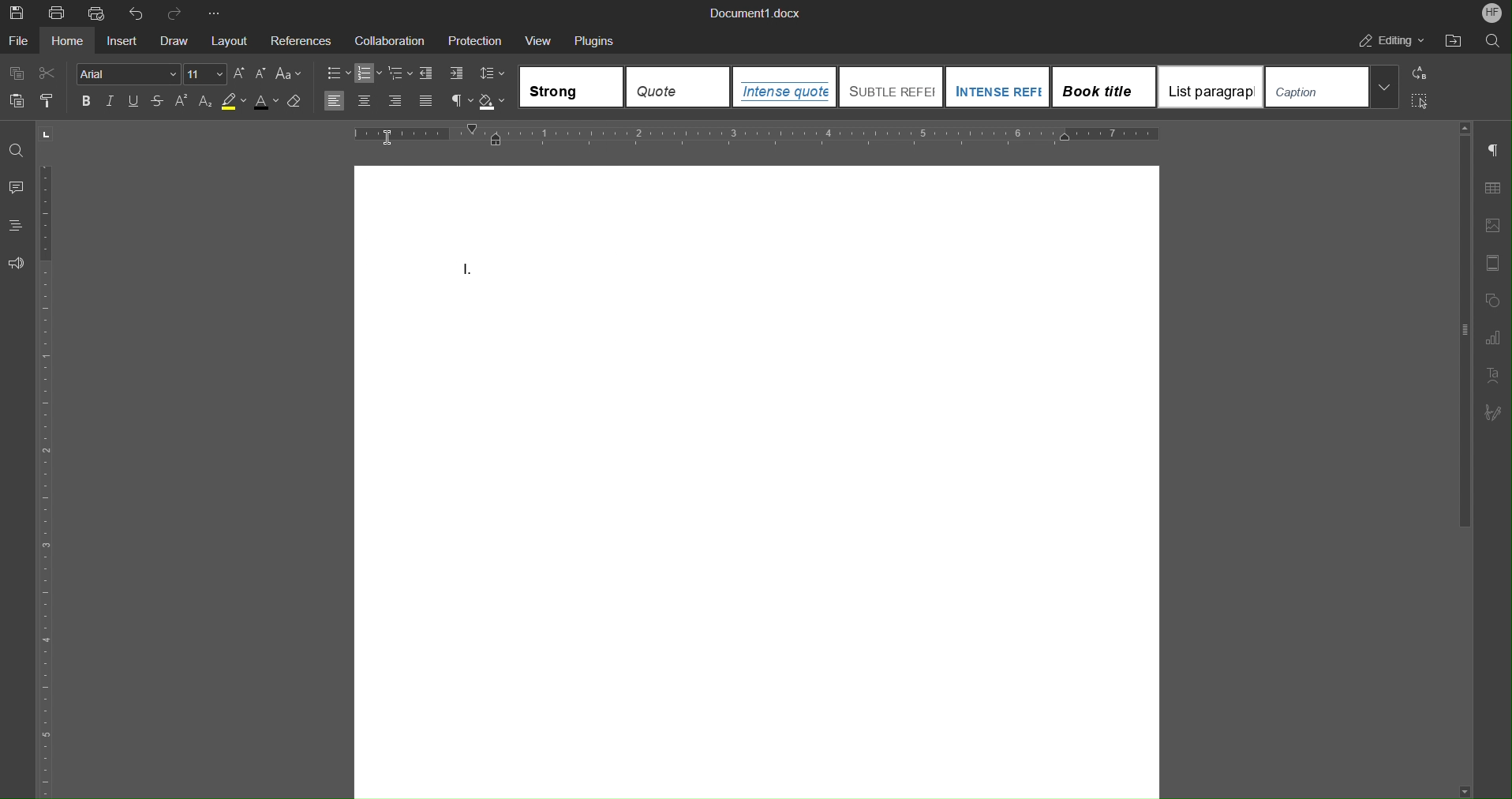 This screenshot has width=1512, height=799. What do you see at coordinates (1333, 87) in the screenshot?
I see `Heading 6` at bounding box center [1333, 87].